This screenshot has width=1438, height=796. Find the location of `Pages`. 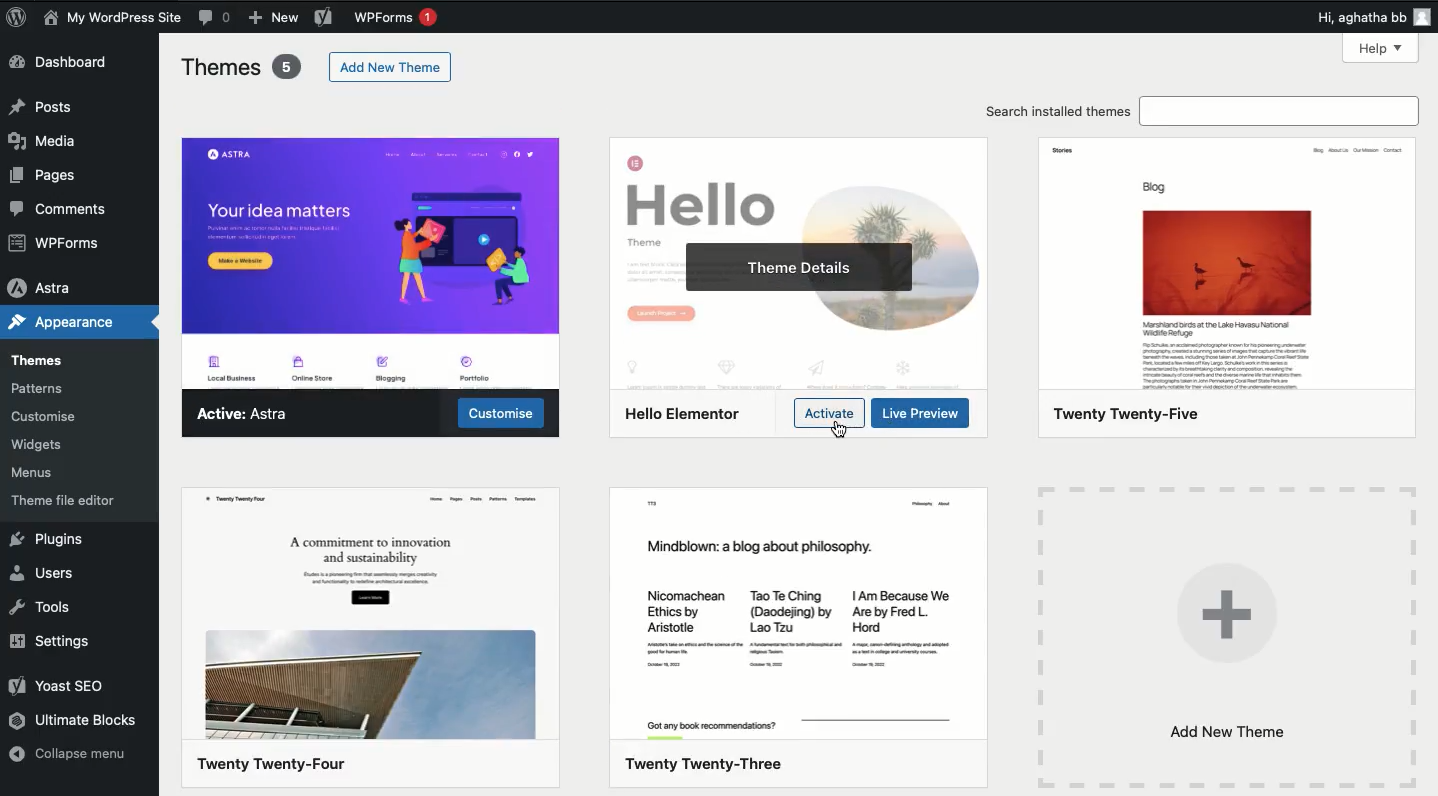

Pages is located at coordinates (52, 175).